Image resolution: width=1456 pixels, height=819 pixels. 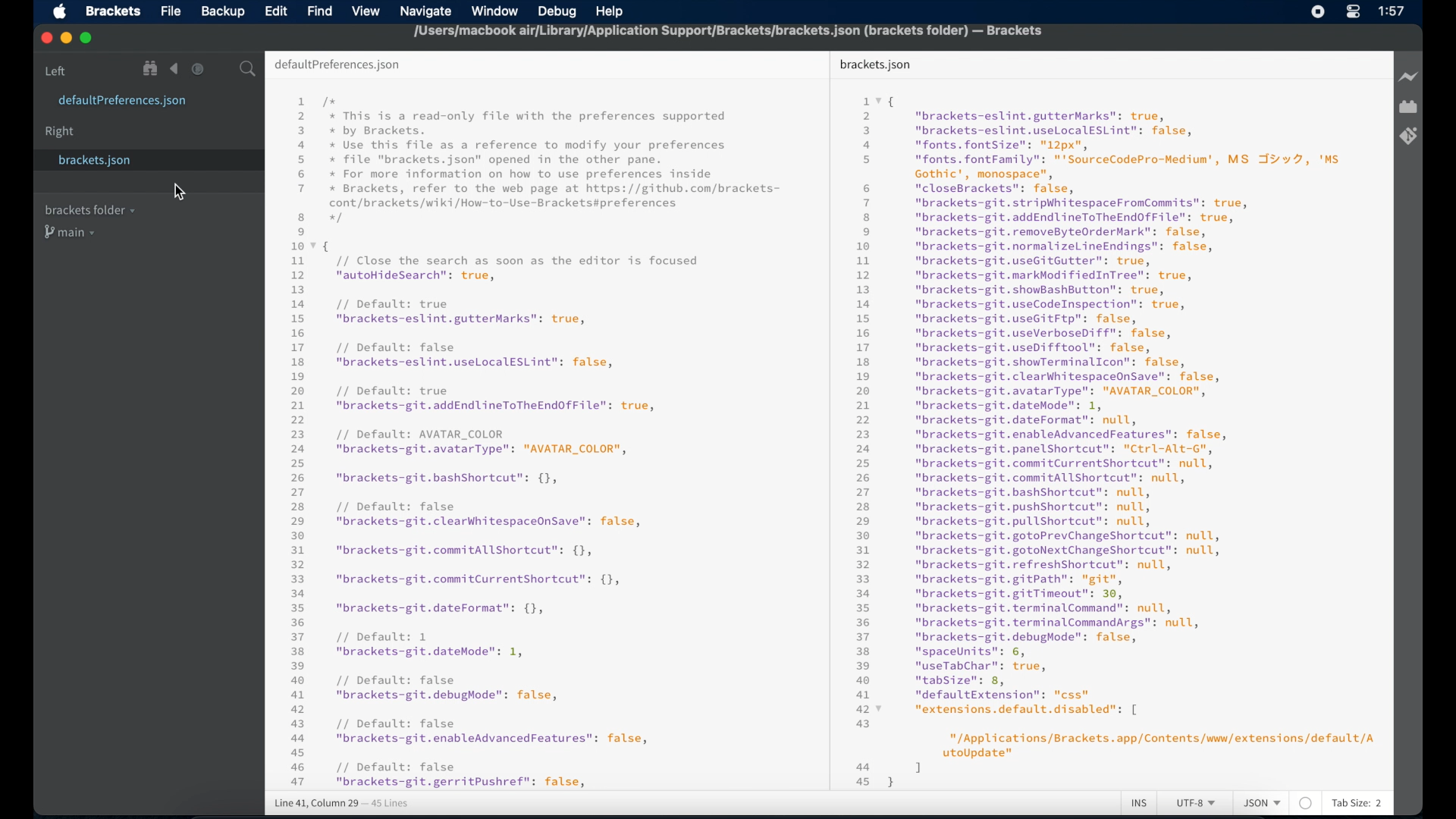 What do you see at coordinates (275, 11) in the screenshot?
I see `edit` at bounding box center [275, 11].